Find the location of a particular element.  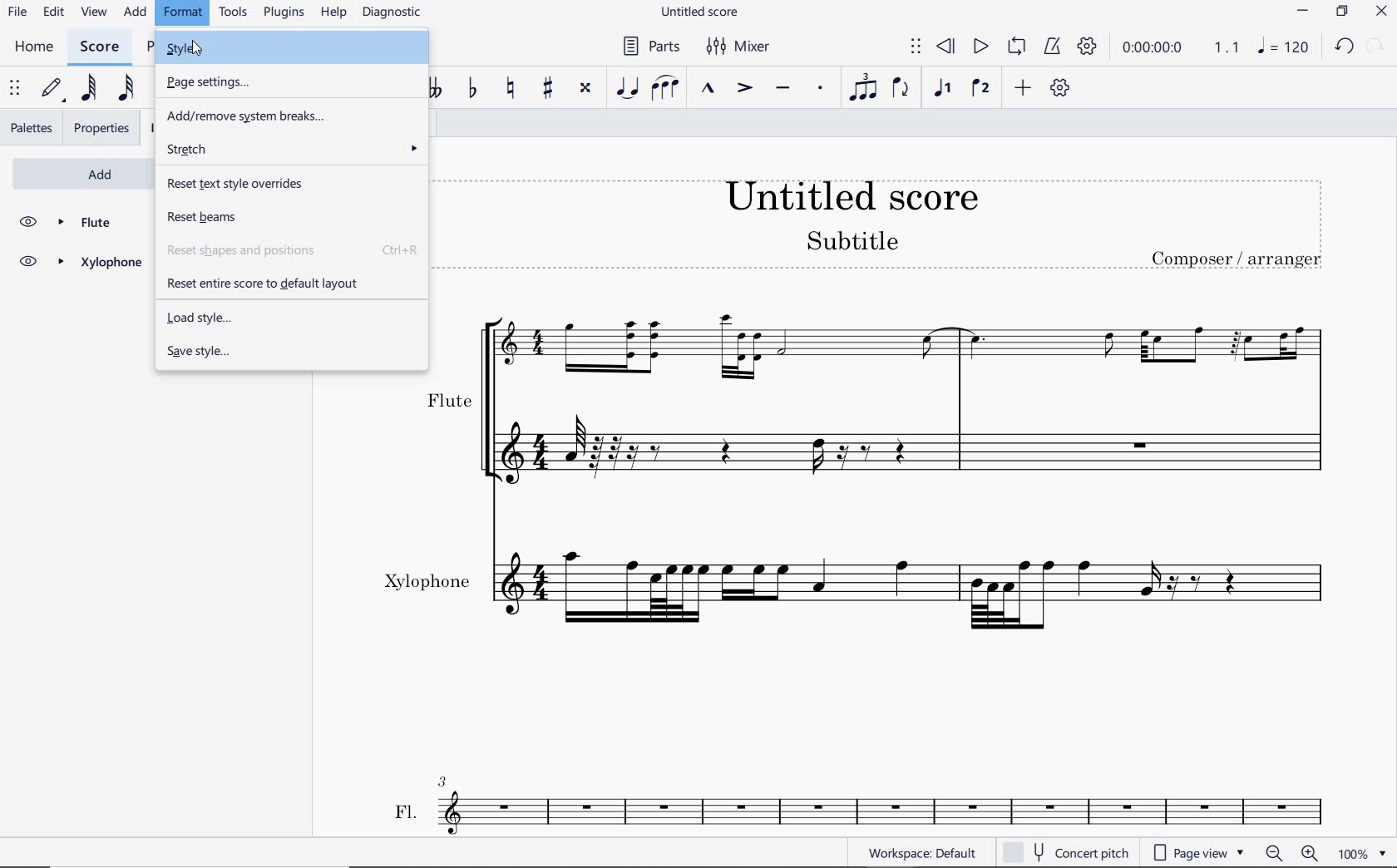

zoom in or zoom out is located at coordinates (1290, 852).